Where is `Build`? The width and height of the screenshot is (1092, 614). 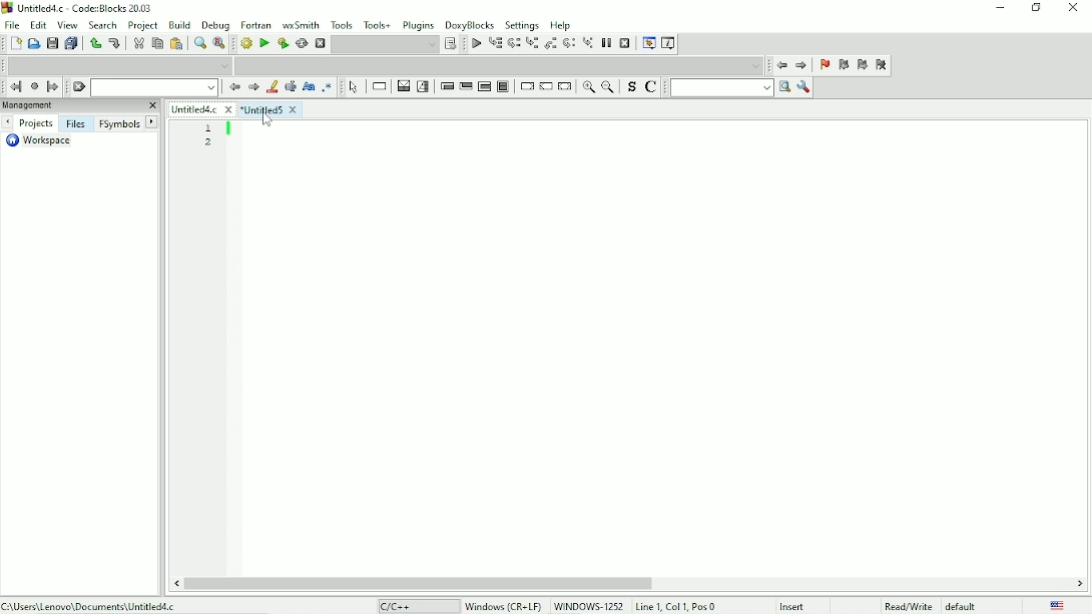 Build is located at coordinates (179, 25).